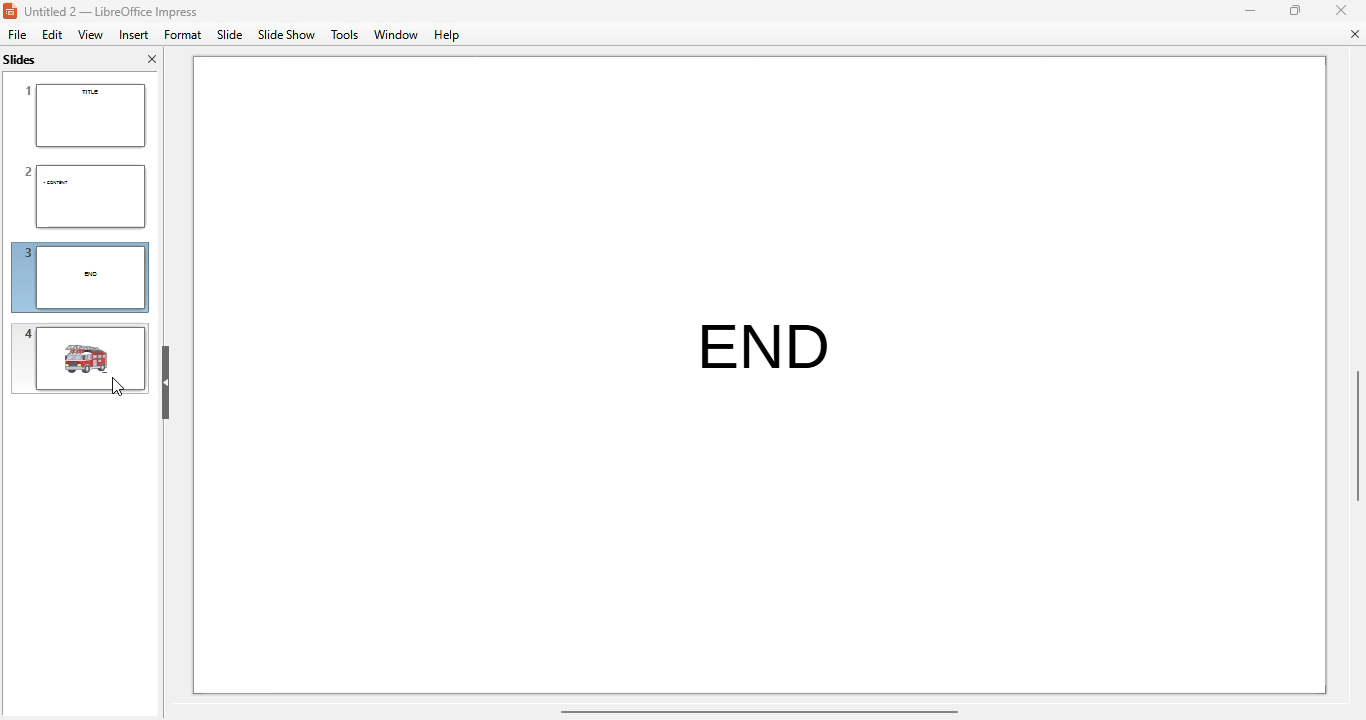 This screenshot has width=1366, height=720. I want to click on hide, so click(166, 382).